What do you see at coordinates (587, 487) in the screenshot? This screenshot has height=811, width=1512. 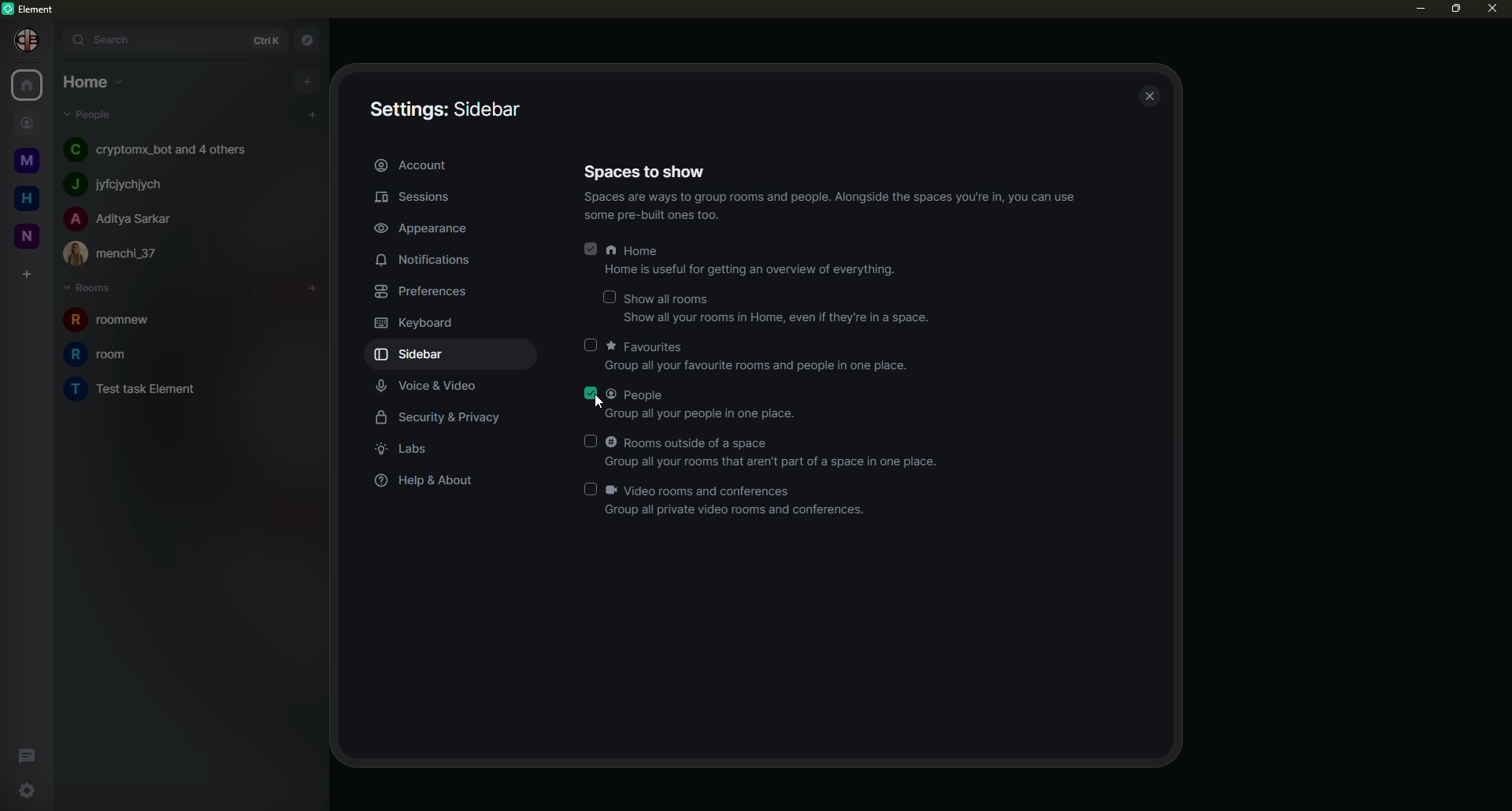 I see `click to enable` at bounding box center [587, 487].